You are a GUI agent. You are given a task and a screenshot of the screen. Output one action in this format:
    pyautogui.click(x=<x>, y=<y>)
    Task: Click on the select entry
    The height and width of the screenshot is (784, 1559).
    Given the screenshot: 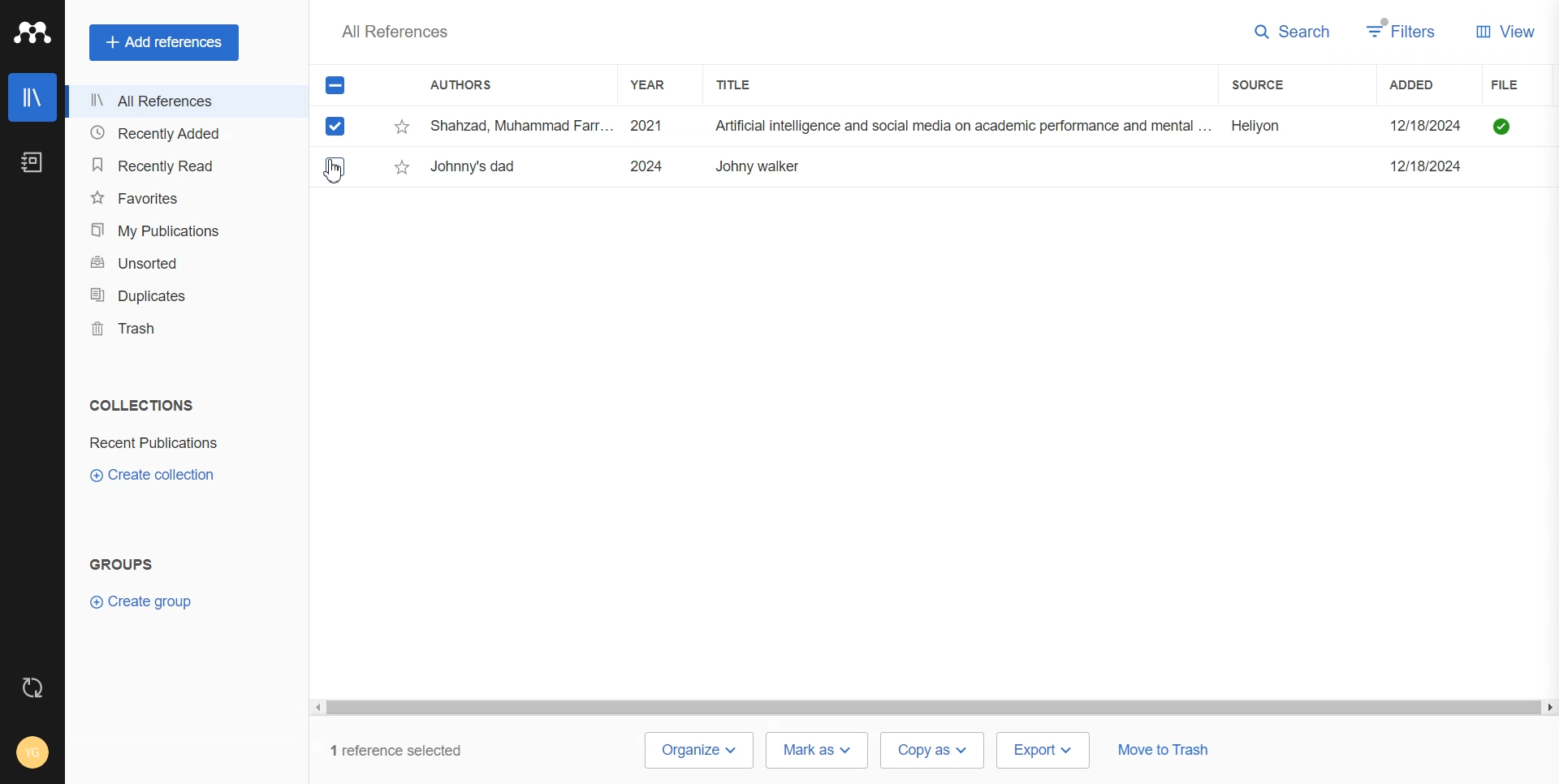 What is the action you would take?
    pyautogui.click(x=339, y=165)
    